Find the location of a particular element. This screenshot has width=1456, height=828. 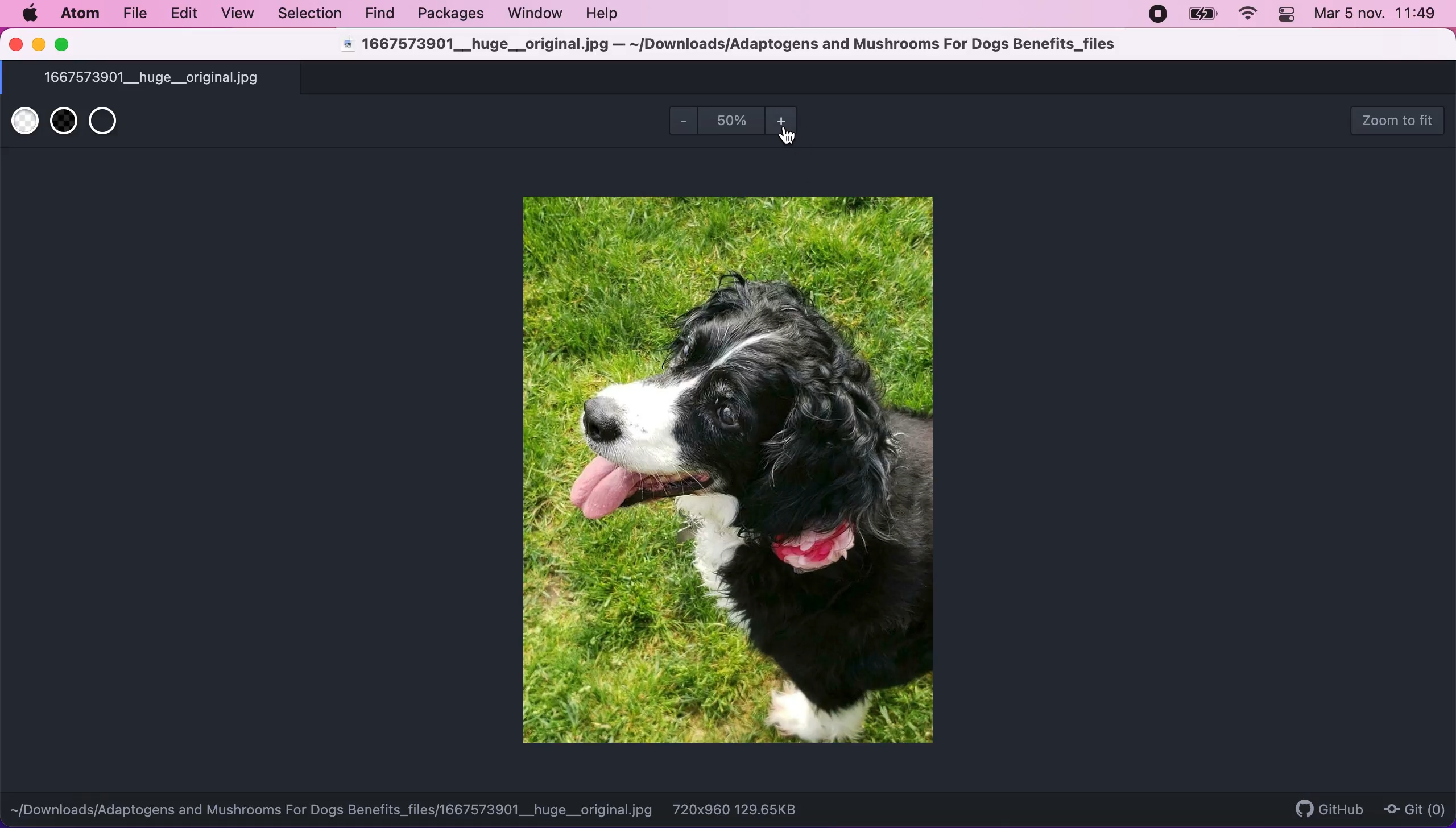

1667573901_huge_original.jpg--/downloads/adaptogens and mushrooms for dog benefits_files is located at coordinates (731, 47).